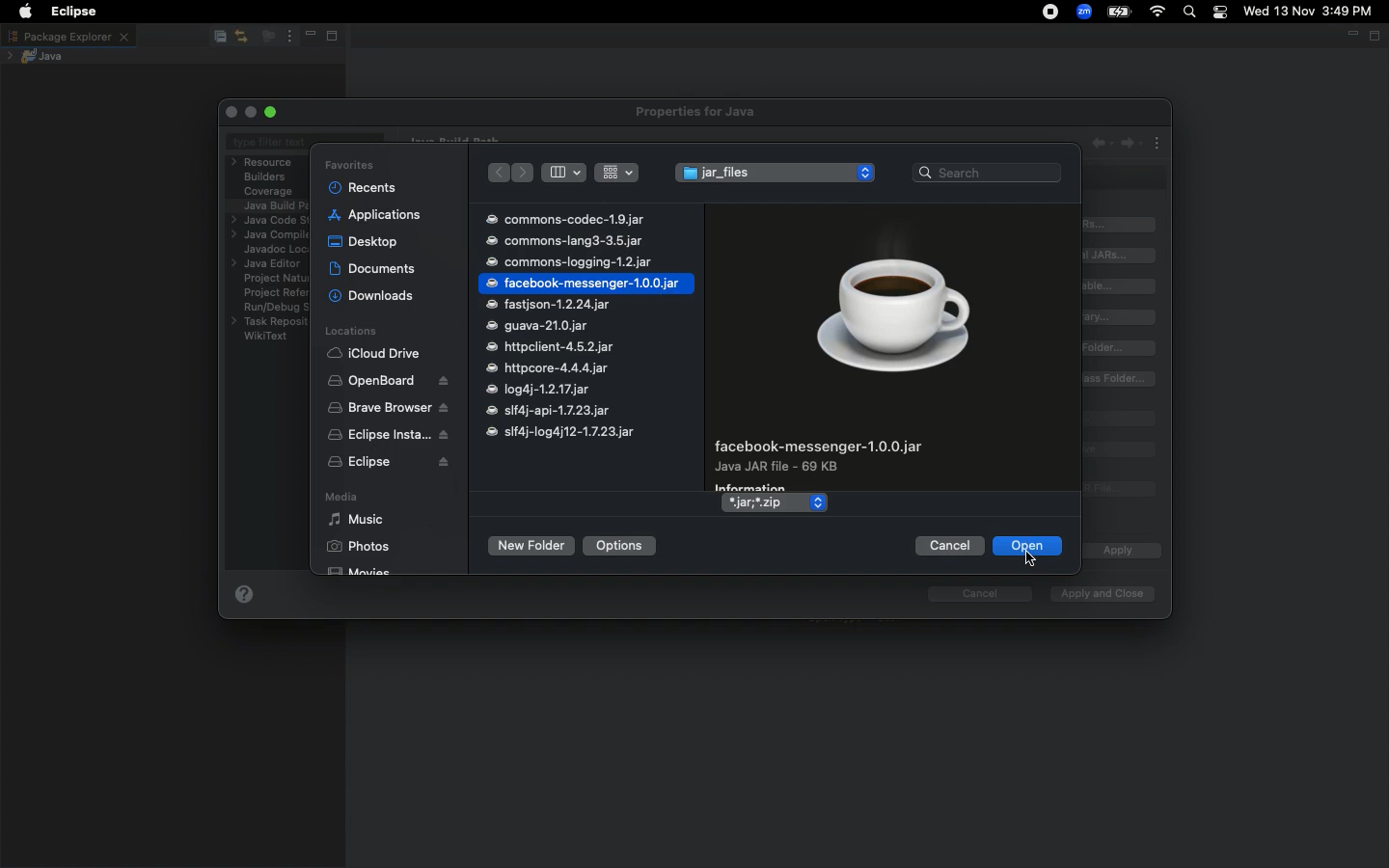 Image resolution: width=1389 pixels, height=868 pixels. Describe the element at coordinates (525, 173) in the screenshot. I see `Forward` at that location.